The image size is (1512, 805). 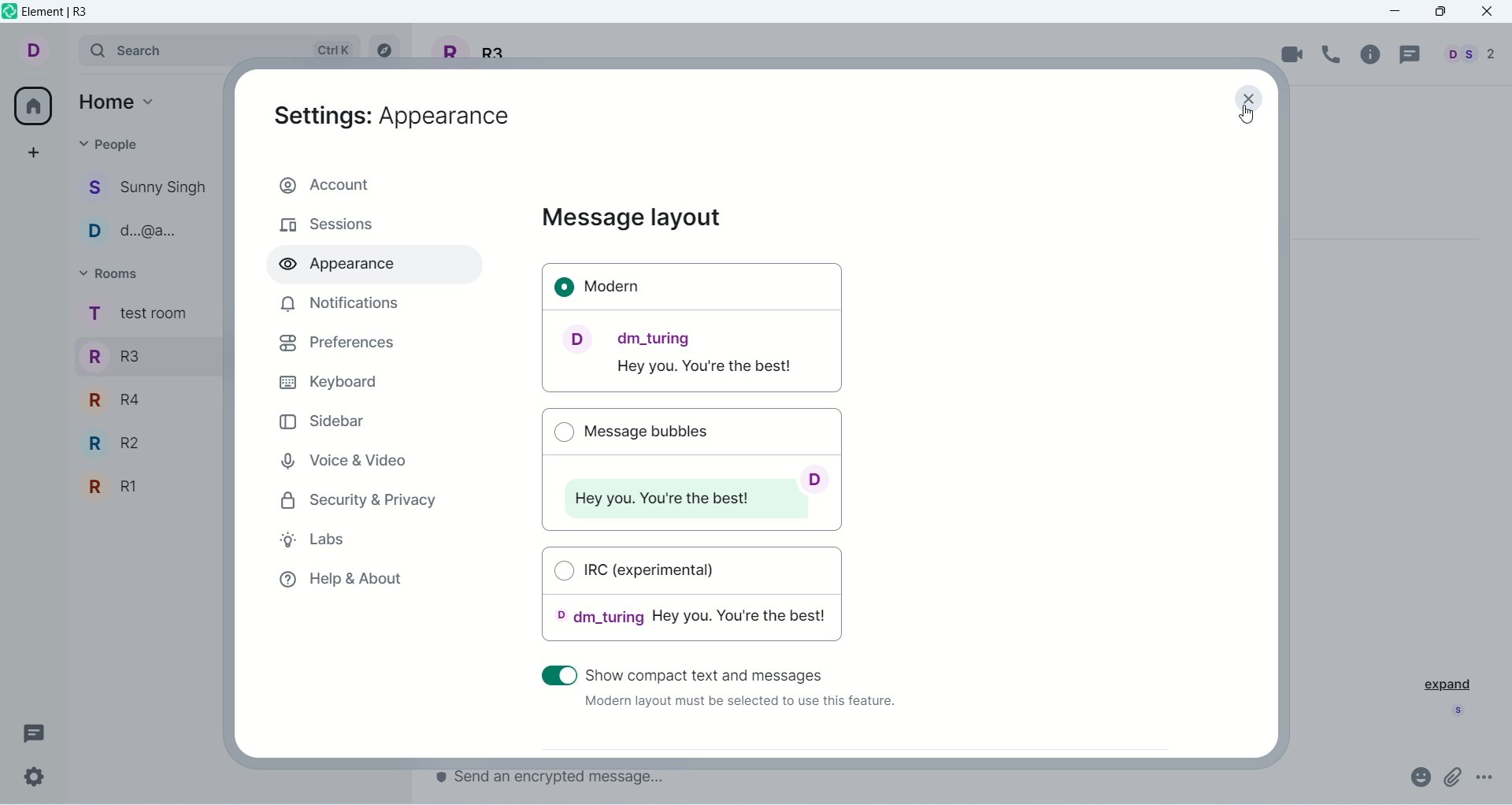 What do you see at coordinates (135, 315) in the screenshot?
I see `rooms` at bounding box center [135, 315].